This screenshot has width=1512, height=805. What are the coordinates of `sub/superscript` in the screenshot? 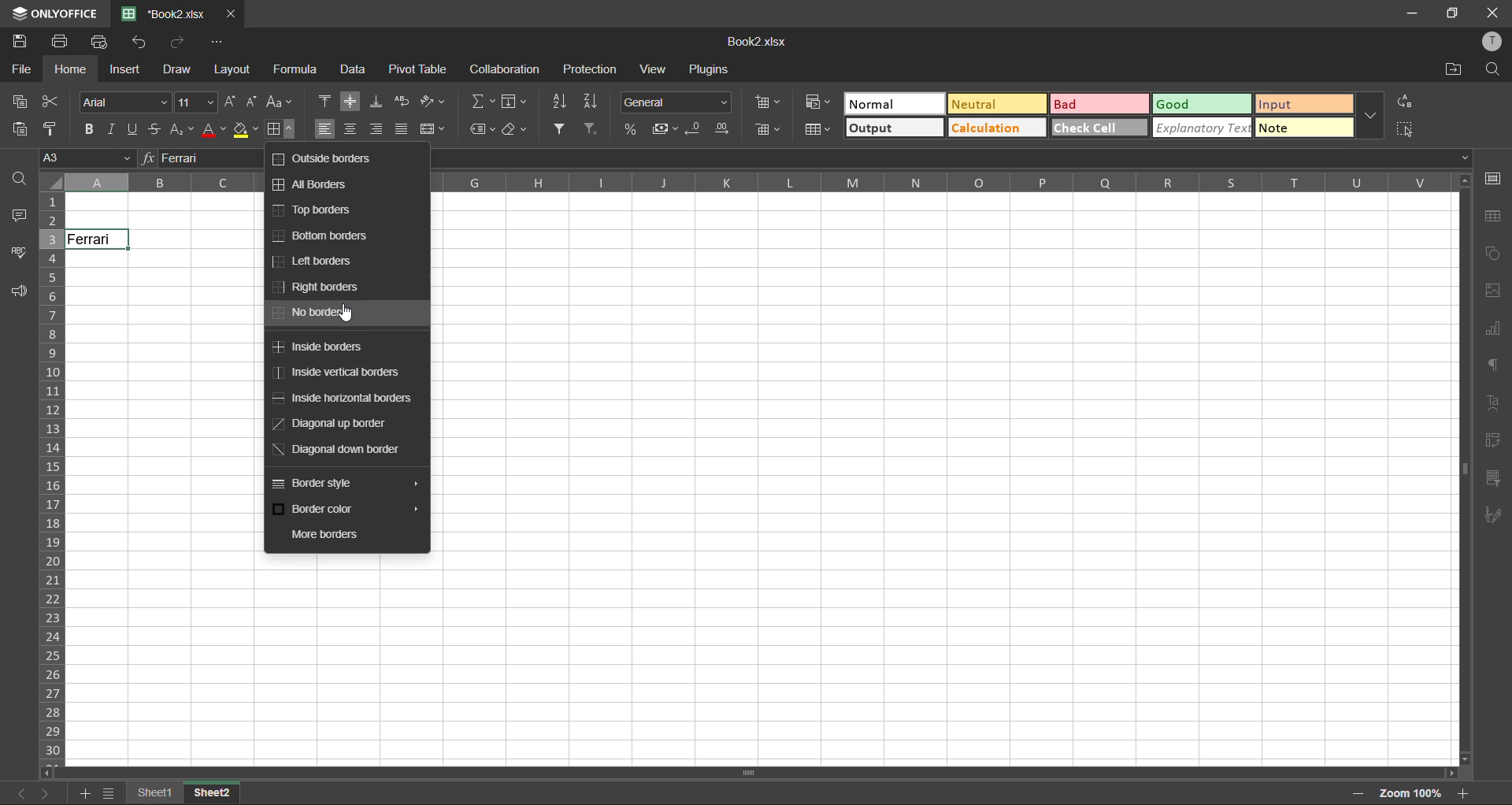 It's located at (182, 131).